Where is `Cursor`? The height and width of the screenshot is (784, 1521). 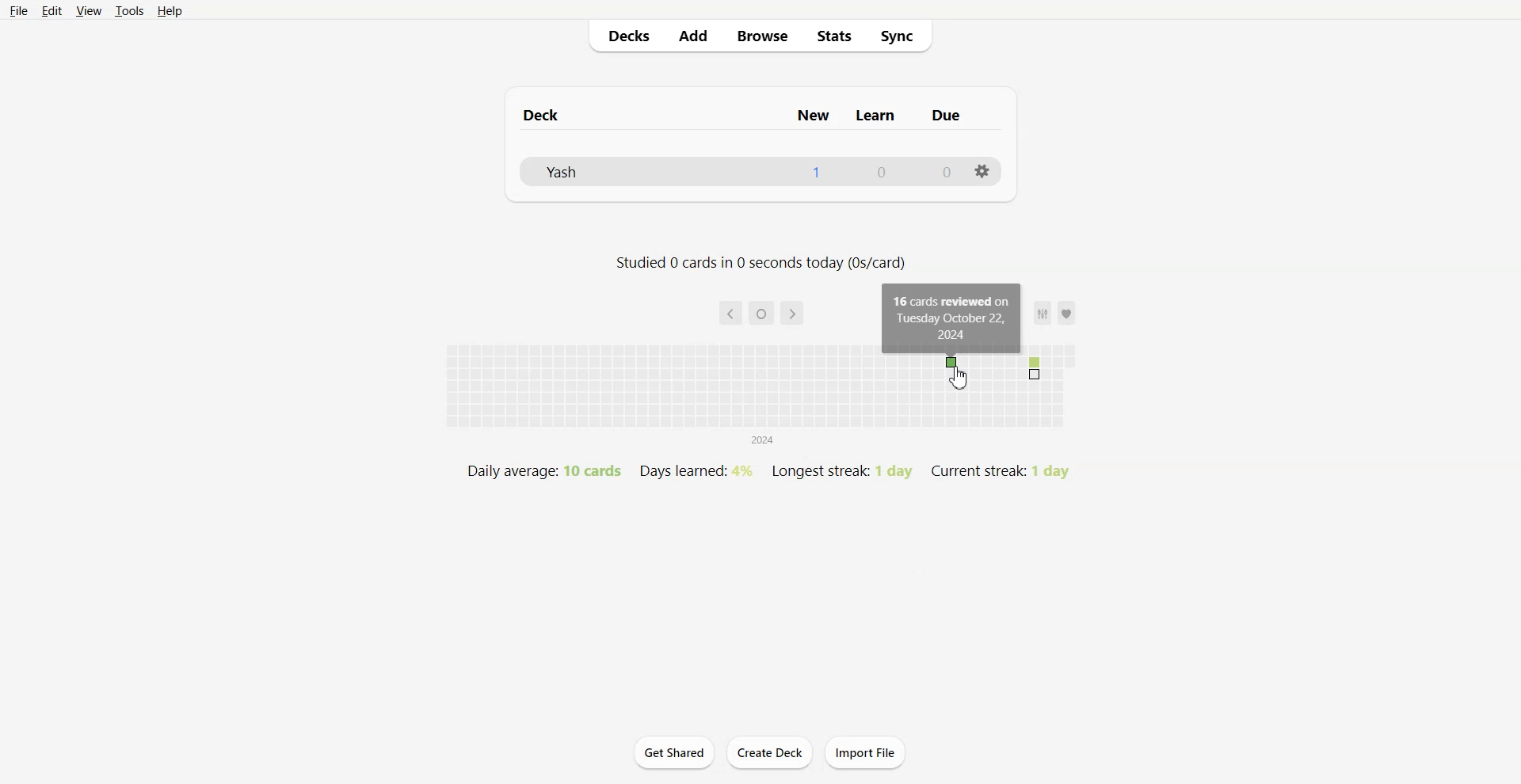
Cursor is located at coordinates (960, 377).